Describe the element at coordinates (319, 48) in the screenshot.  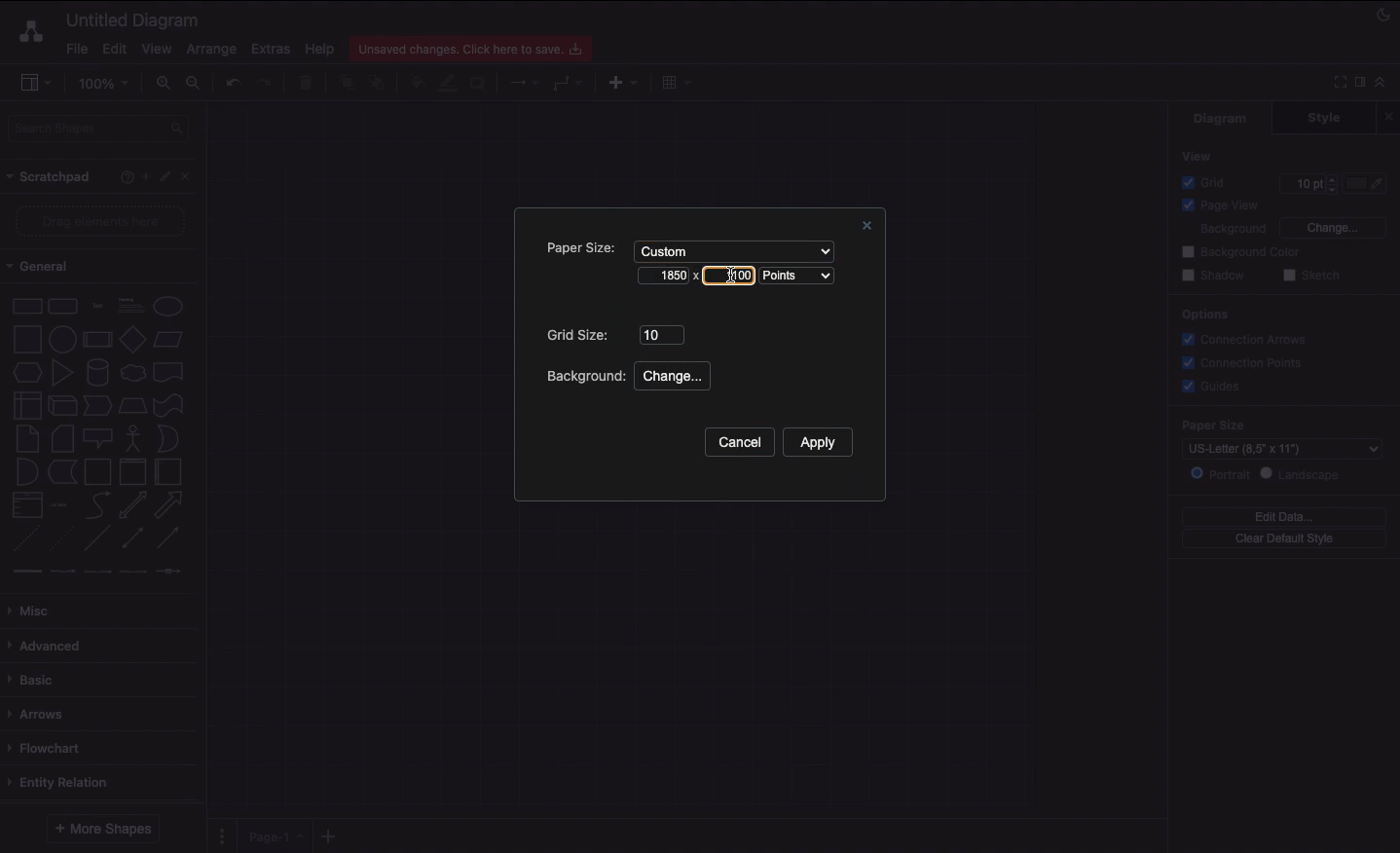
I see `Help` at that location.